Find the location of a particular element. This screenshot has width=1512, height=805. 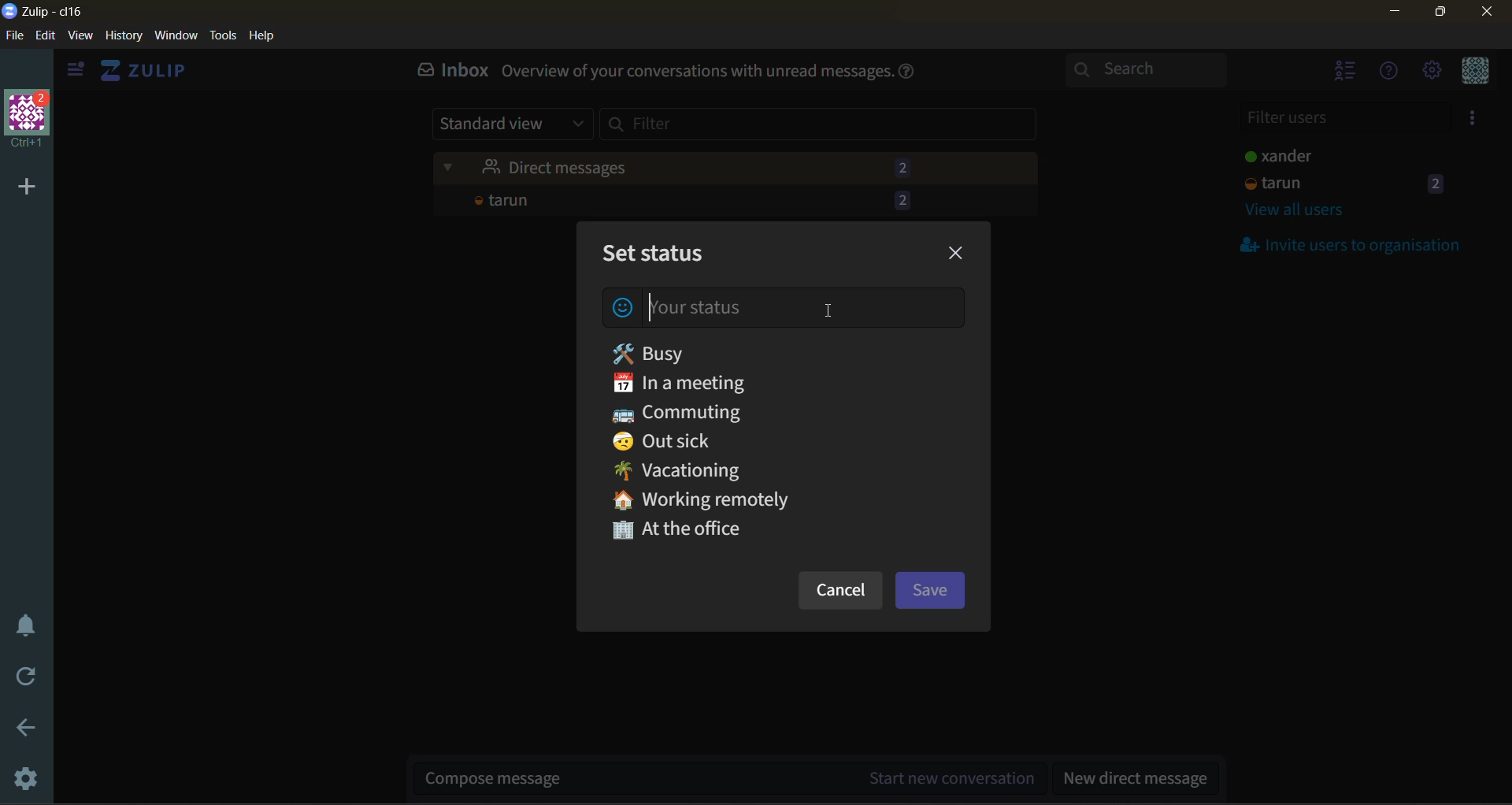

reload is located at coordinates (25, 677).